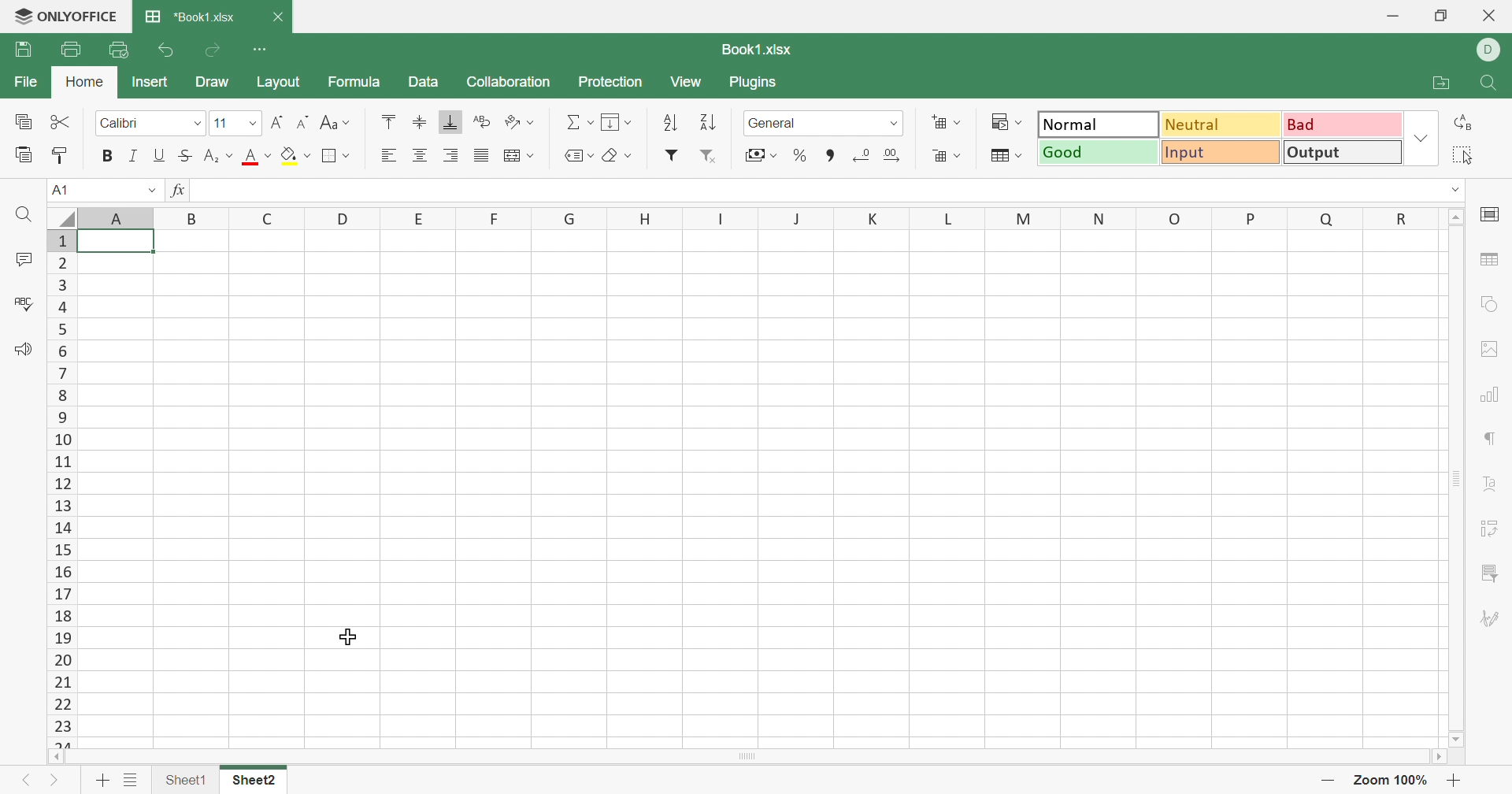 The height and width of the screenshot is (794, 1512). I want to click on Filter, so click(670, 154).